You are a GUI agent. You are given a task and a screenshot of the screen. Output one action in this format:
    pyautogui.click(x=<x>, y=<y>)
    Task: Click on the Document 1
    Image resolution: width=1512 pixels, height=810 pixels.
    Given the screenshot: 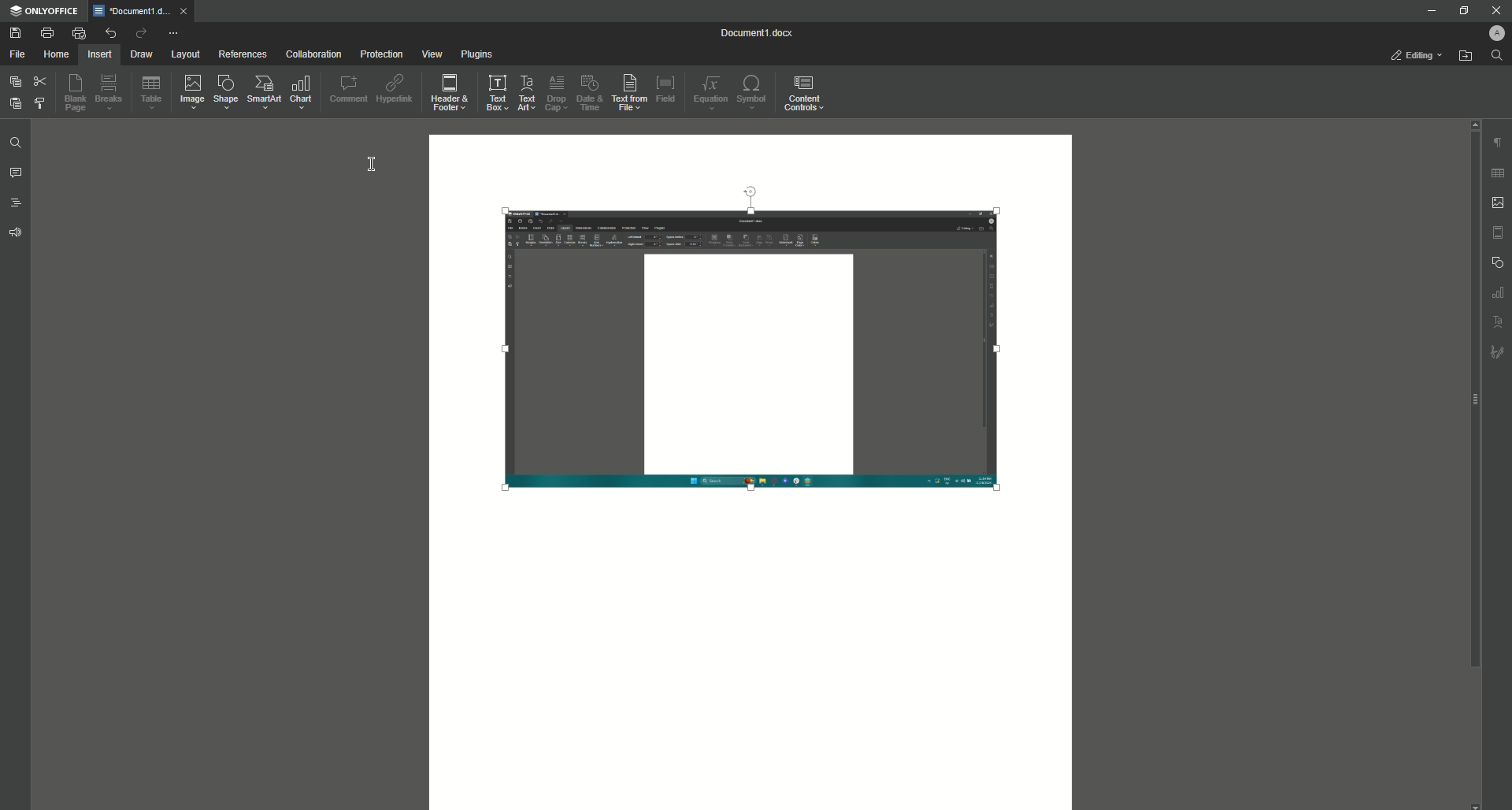 What is the action you would take?
    pyautogui.click(x=756, y=32)
    